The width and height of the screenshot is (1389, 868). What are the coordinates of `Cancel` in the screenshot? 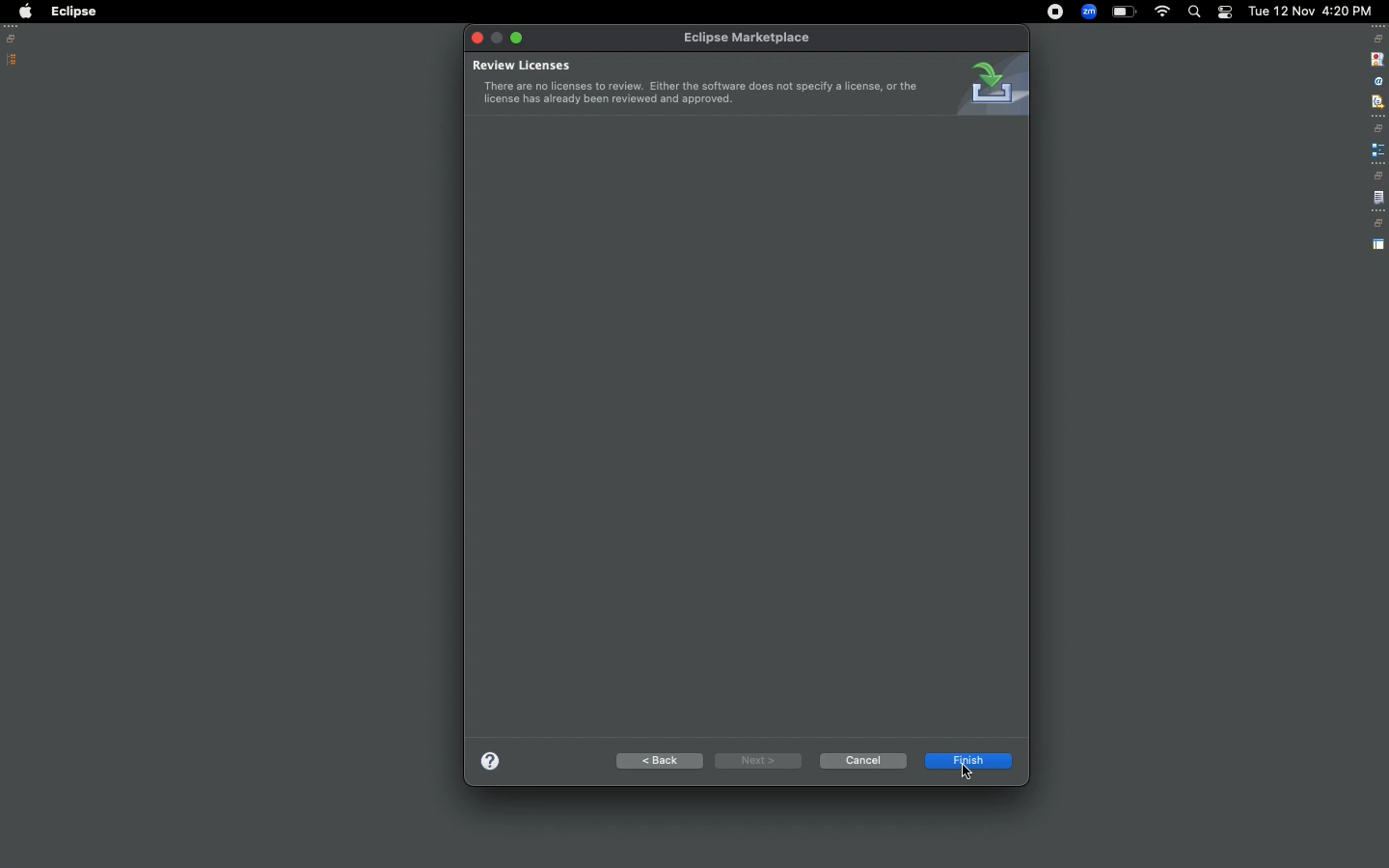 It's located at (861, 761).